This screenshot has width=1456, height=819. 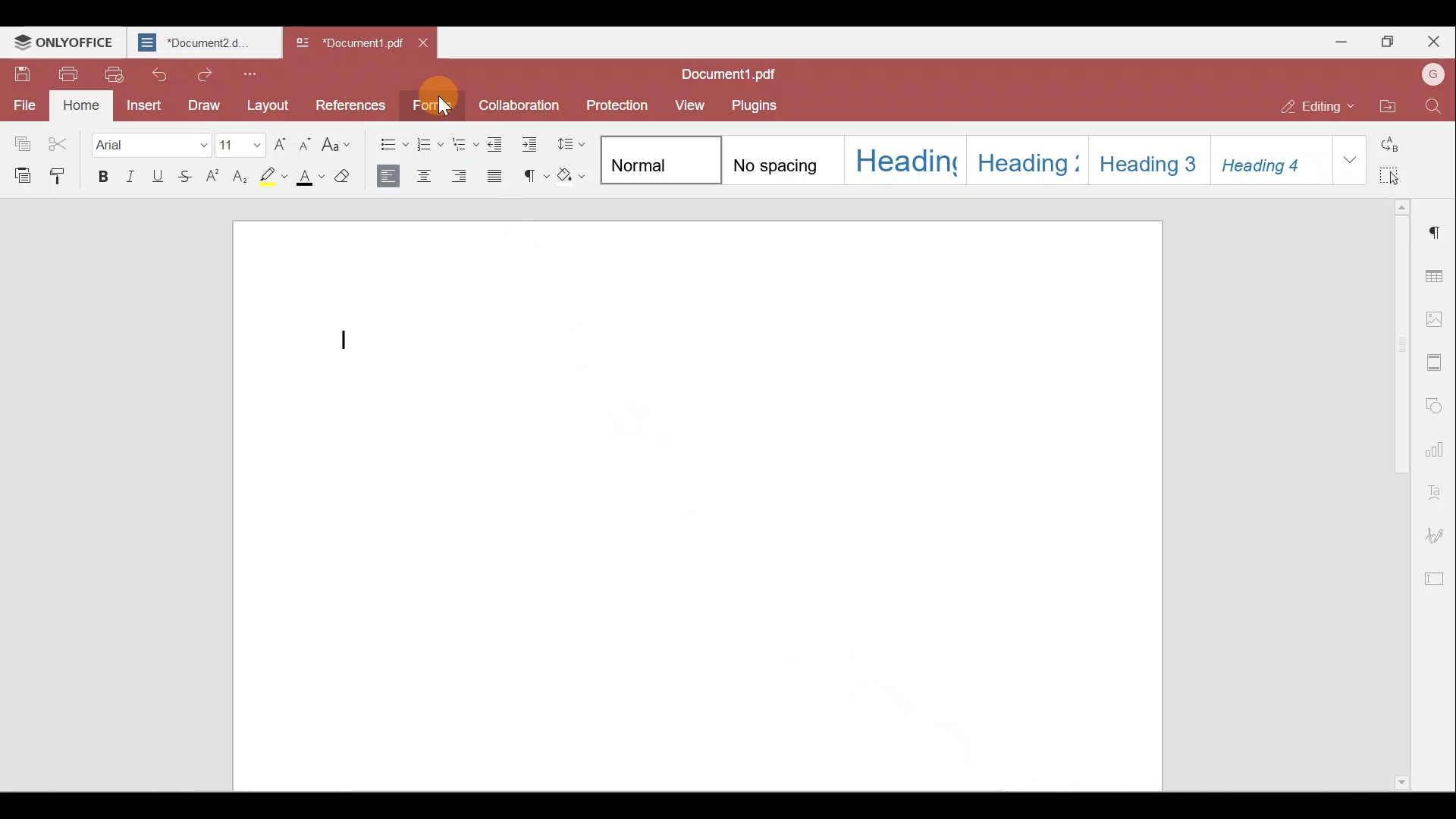 What do you see at coordinates (1432, 108) in the screenshot?
I see `Find` at bounding box center [1432, 108].